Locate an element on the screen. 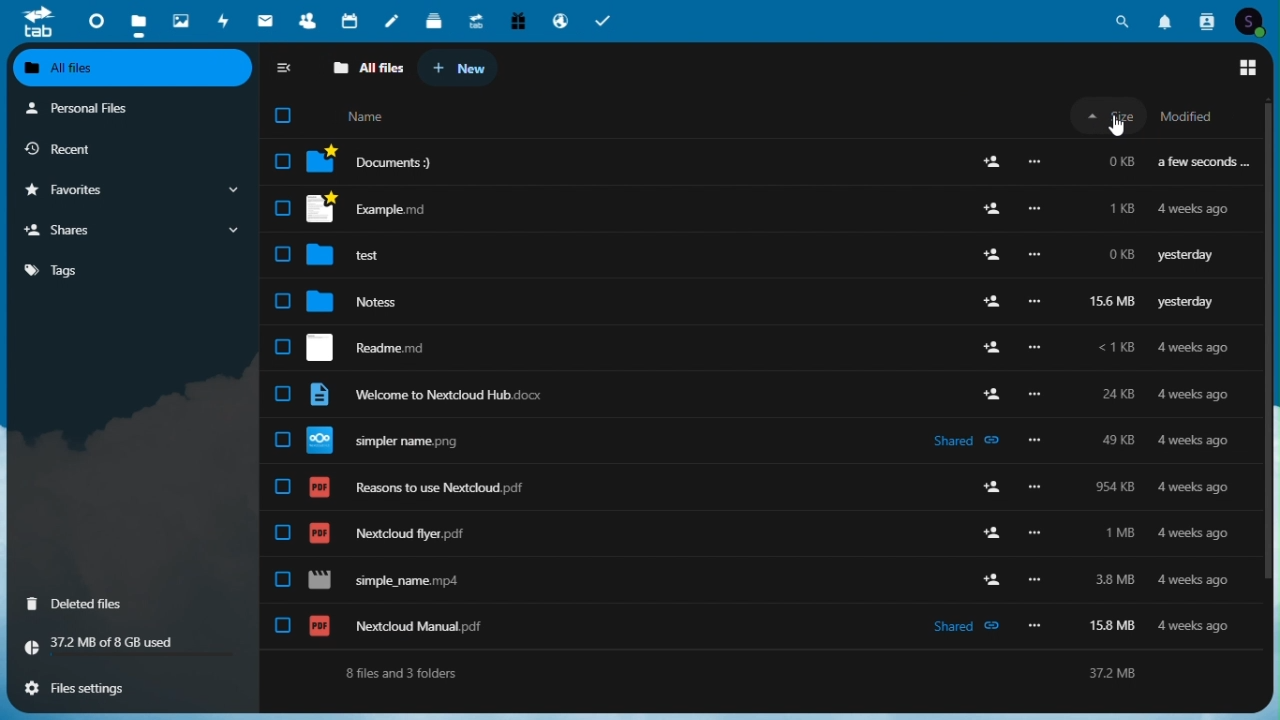 This screenshot has height=720, width=1280. Free trial is located at coordinates (519, 17).